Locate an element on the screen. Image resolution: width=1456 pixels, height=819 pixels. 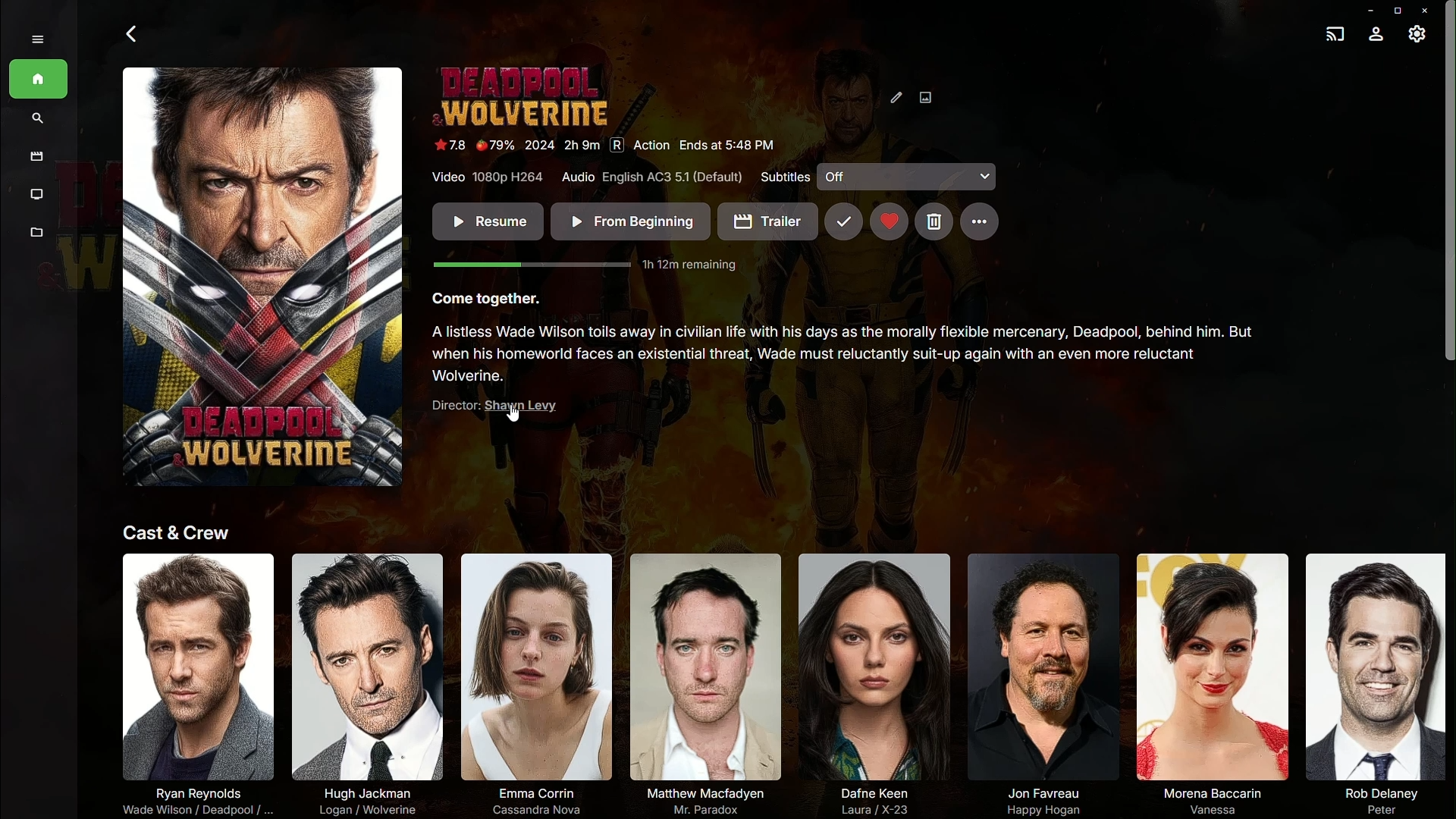
Remove from Favorite is located at coordinates (888, 222).